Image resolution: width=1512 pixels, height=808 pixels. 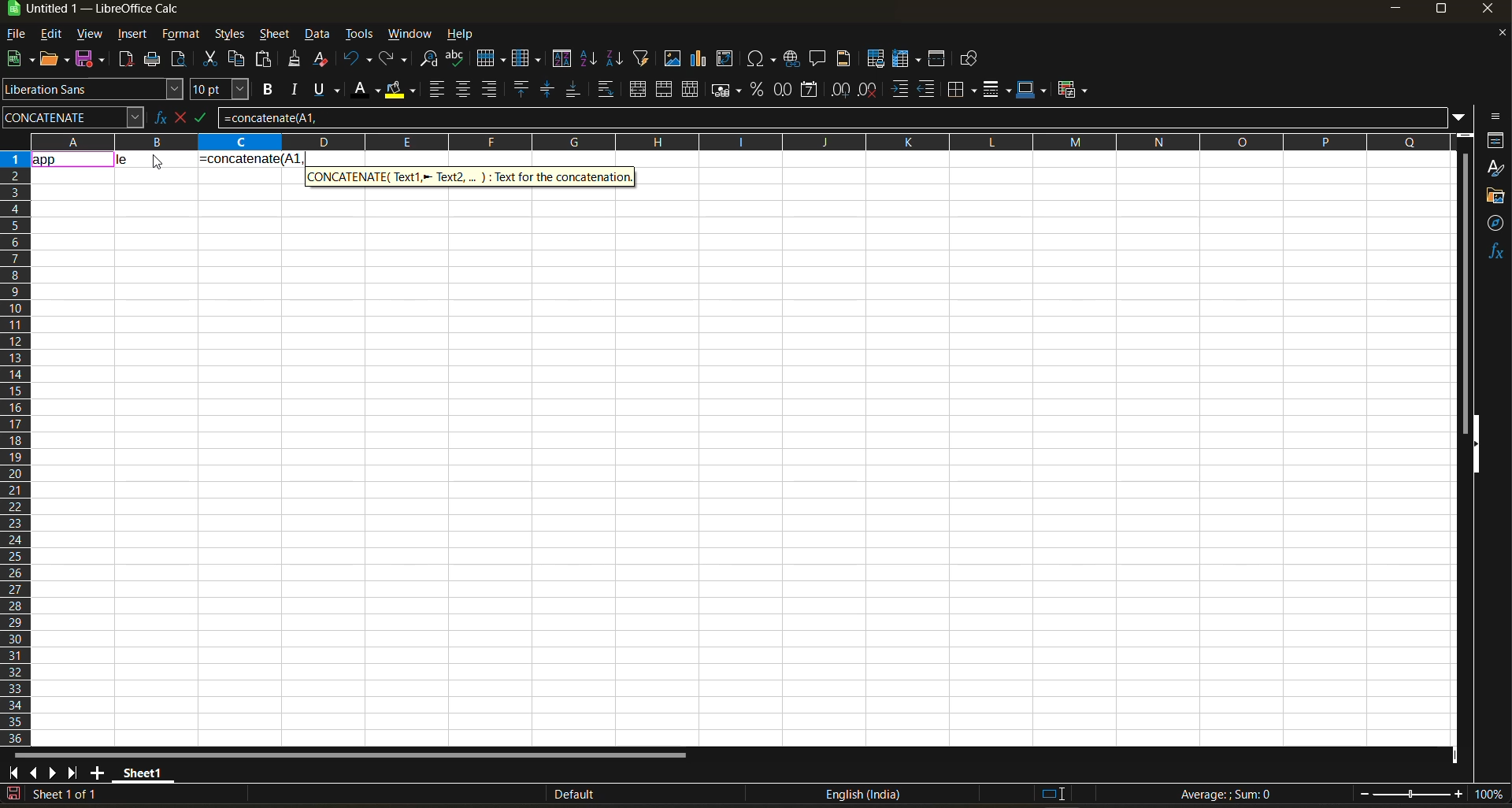 I want to click on define print area, so click(x=875, y=59).